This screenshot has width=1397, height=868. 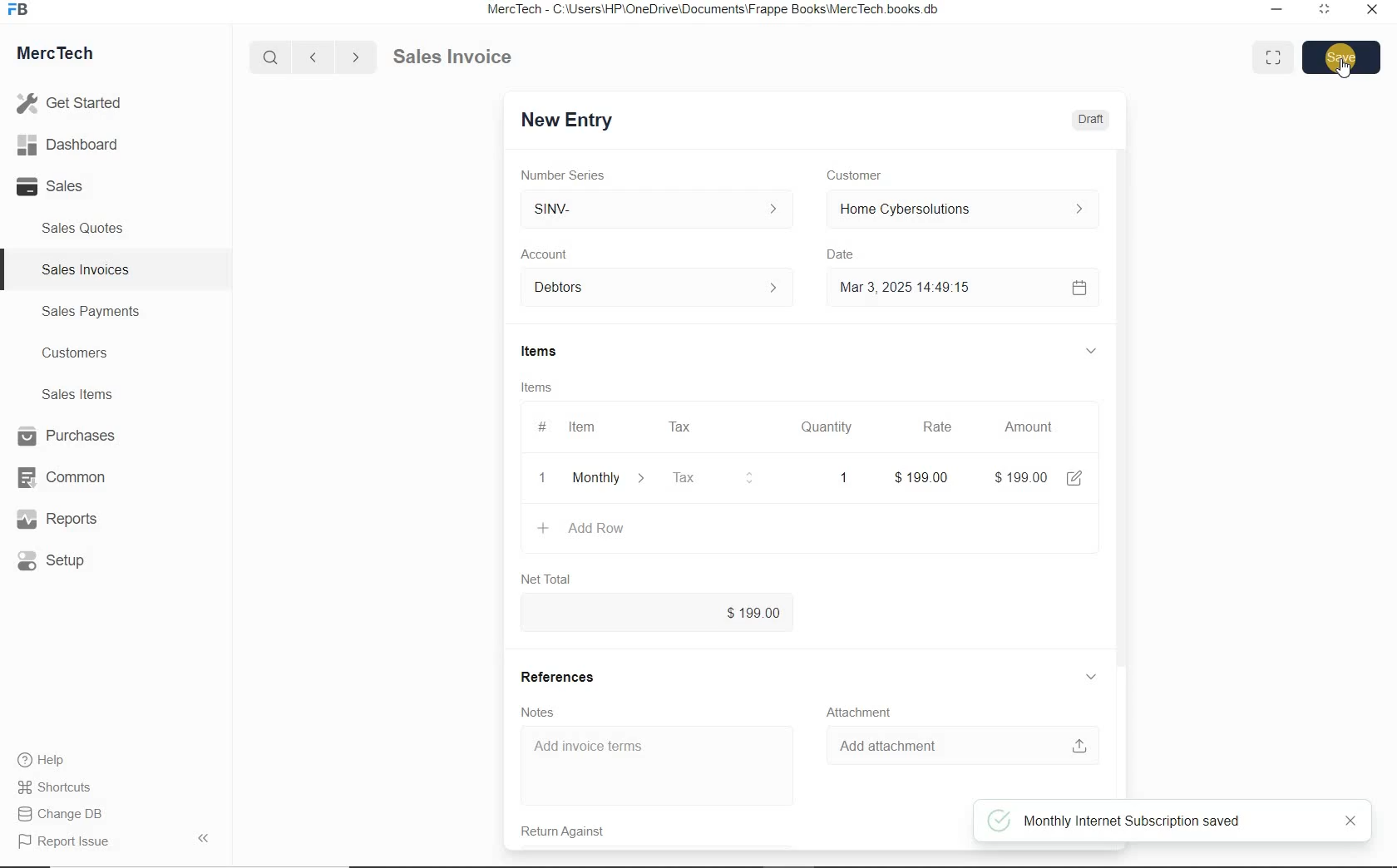 I want to click on edit, so click(x=1074, y=478).